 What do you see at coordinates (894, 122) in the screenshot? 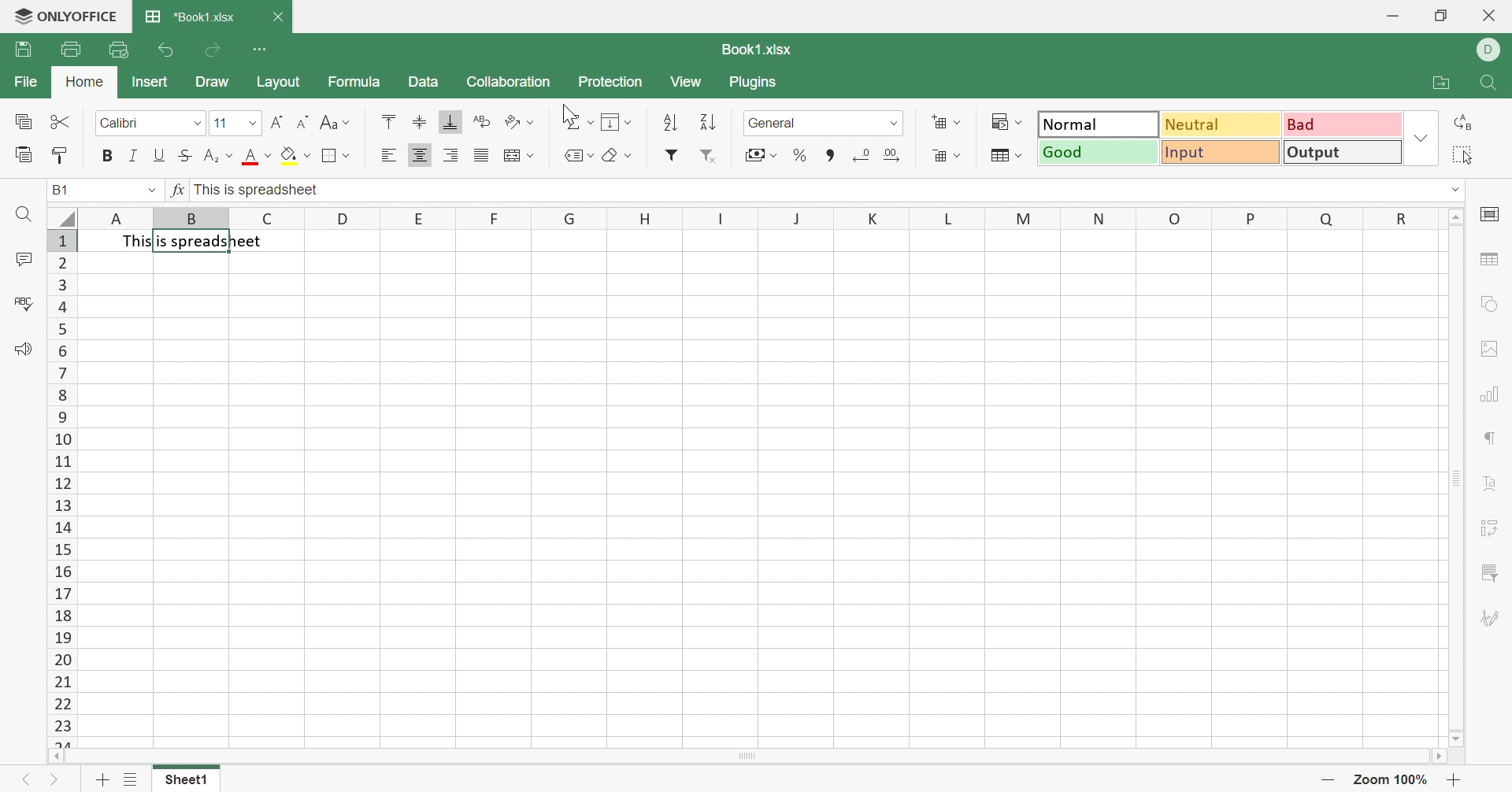
I see `Drop Down` at bounding box center [894, 122].